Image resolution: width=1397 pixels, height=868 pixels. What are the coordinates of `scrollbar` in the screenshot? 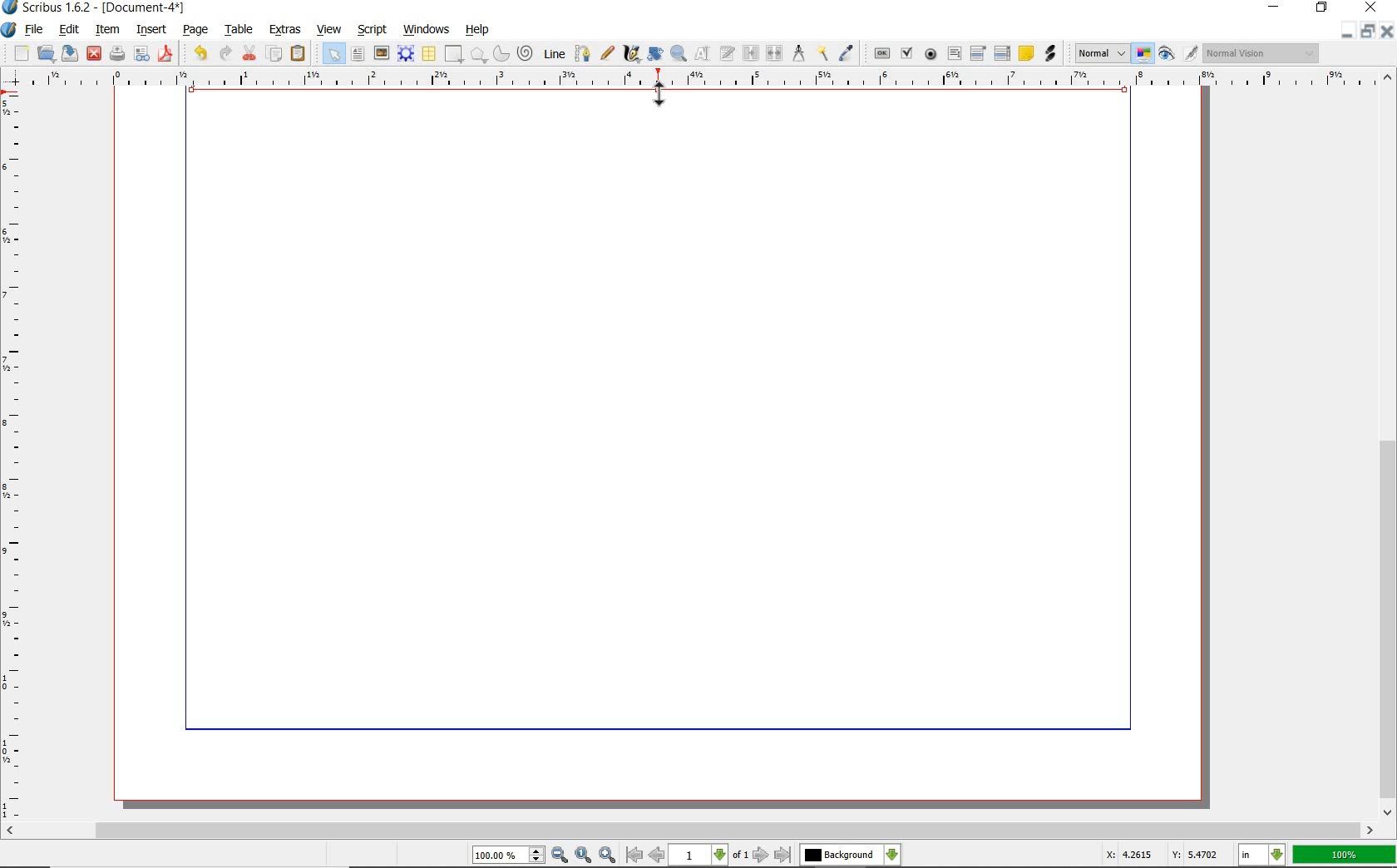 It's located at (690, 830).